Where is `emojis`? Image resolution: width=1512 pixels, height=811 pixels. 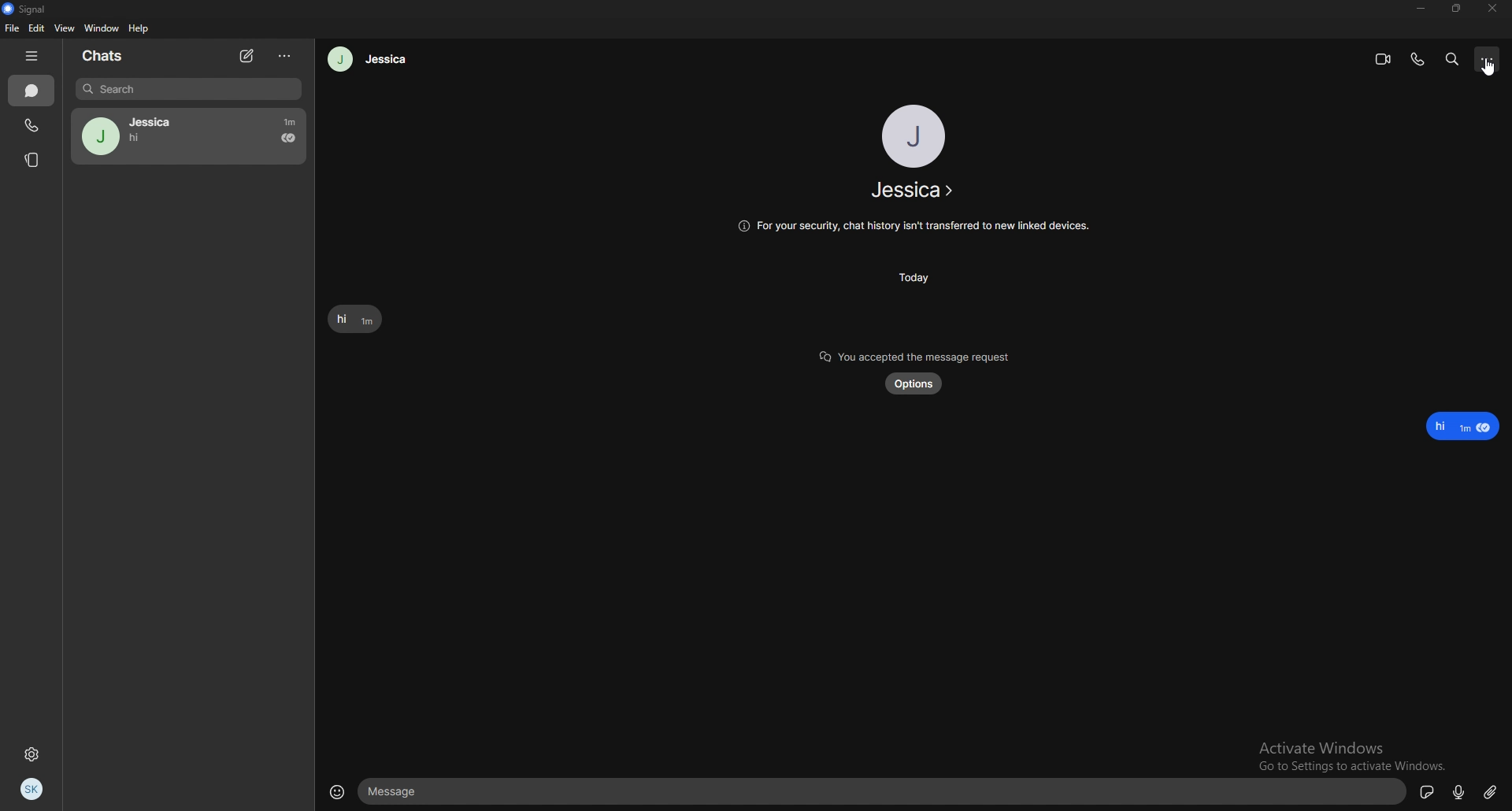
emojis is located at coordinates (335, 791).